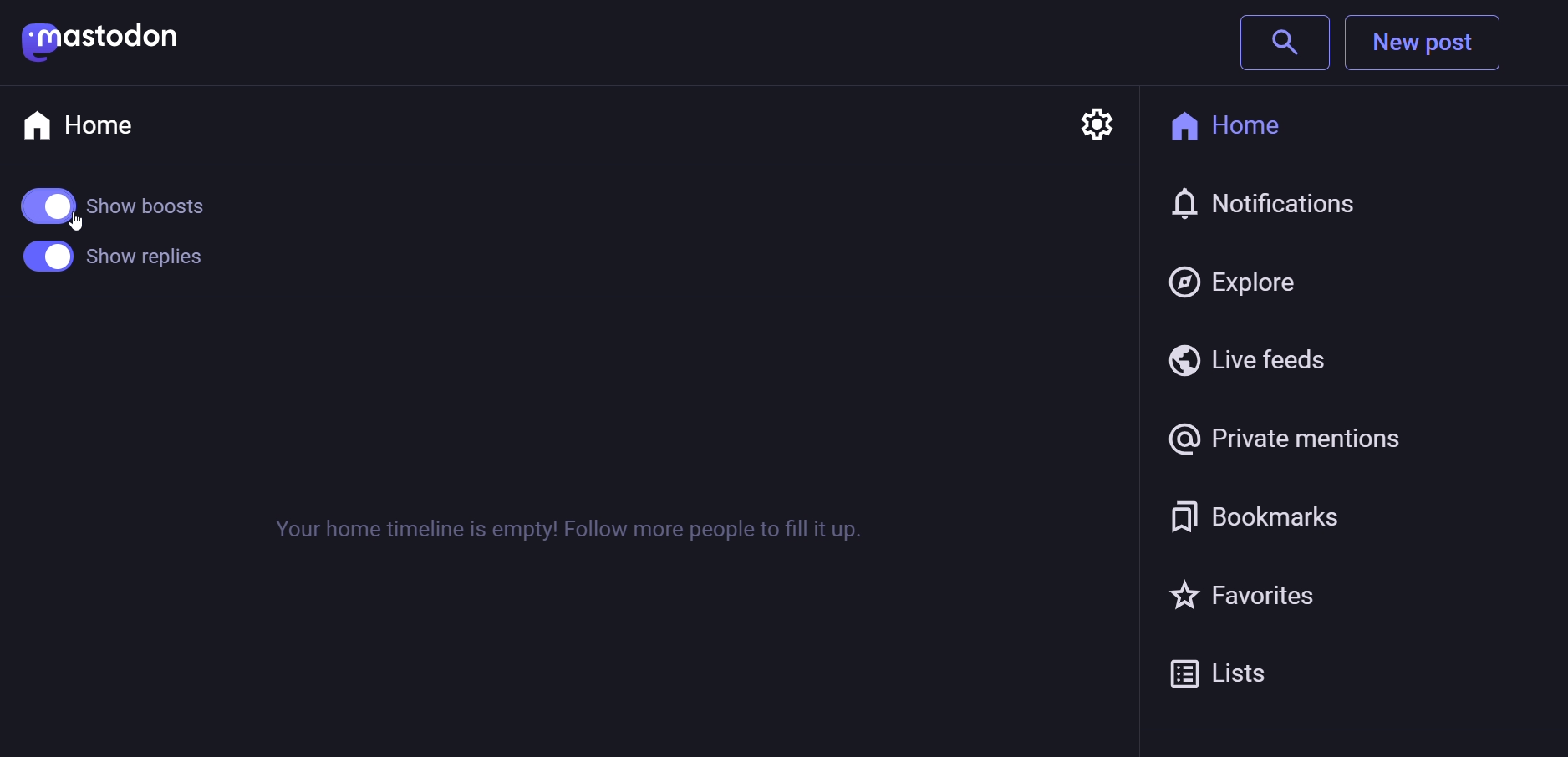  What do you see at coordinates (125, 197) in the screenshot?
I see `show boost` at bounding box center [125, 197].